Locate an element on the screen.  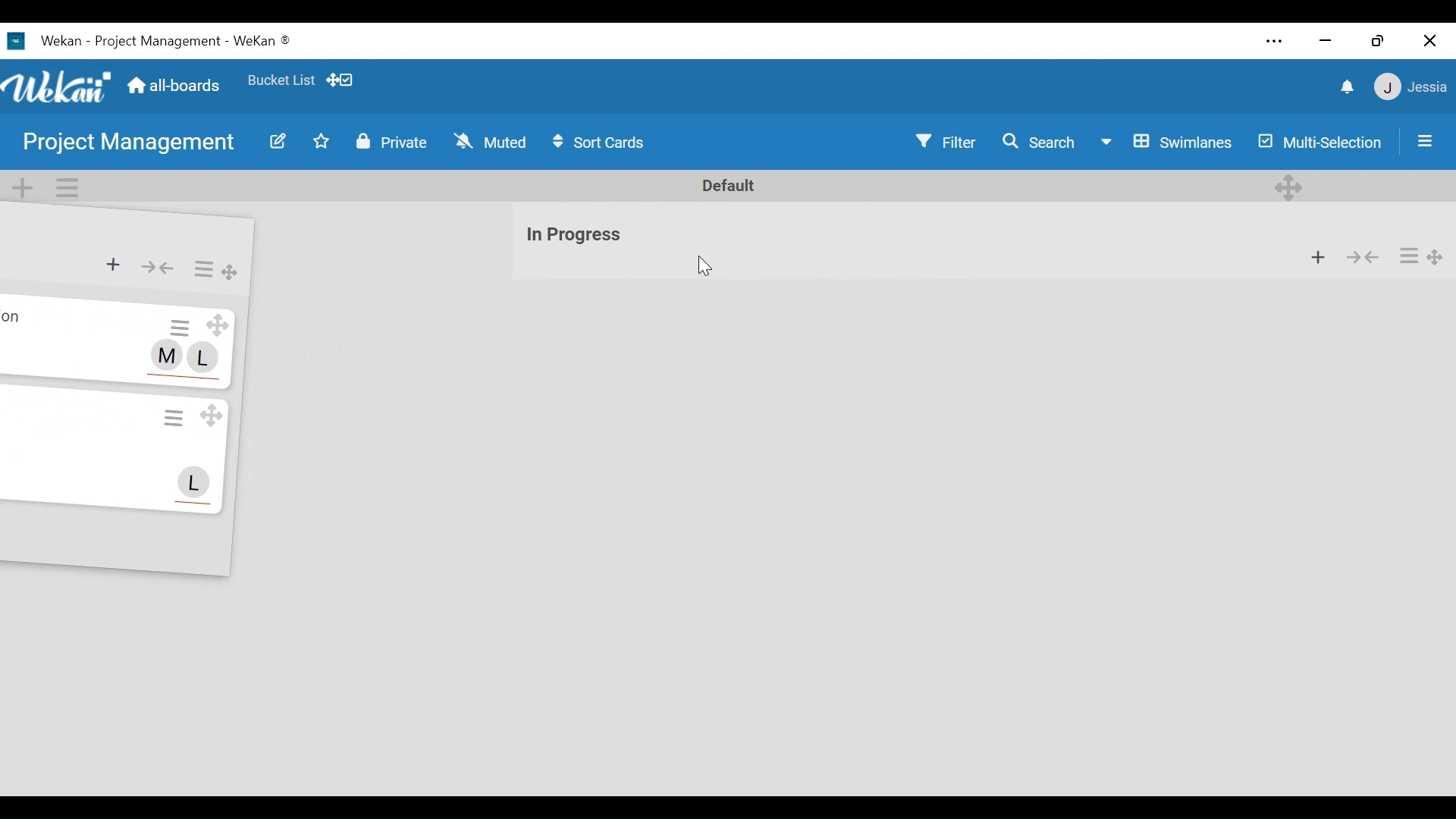
Multi-Selection is located at coordinates (1318, 142).